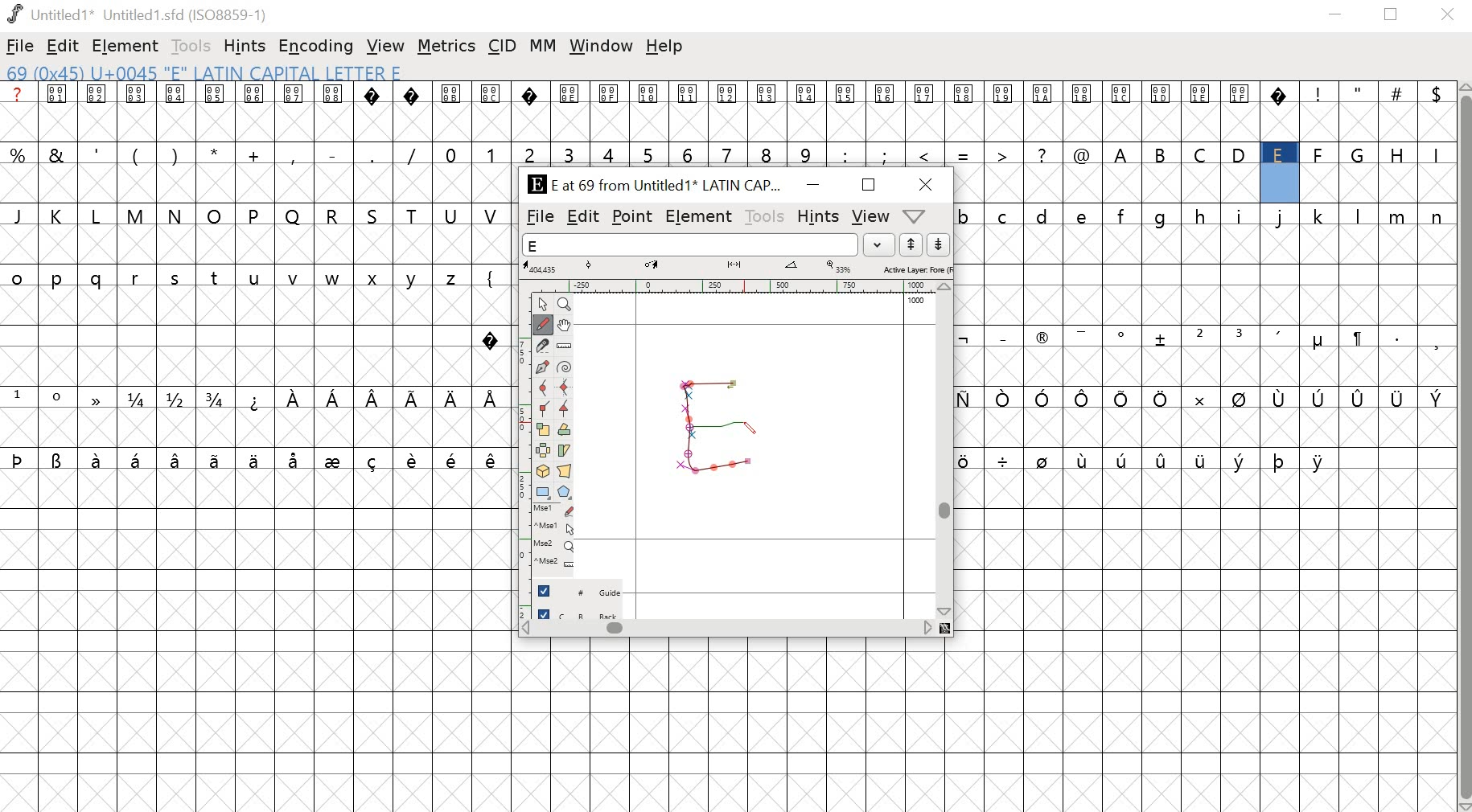 Image resolution: width=1472 pixels, height=812 pixels. Describe the element at coordinates (1205, 215) in the screenshot. I see `lowercase alphabets` at that location.